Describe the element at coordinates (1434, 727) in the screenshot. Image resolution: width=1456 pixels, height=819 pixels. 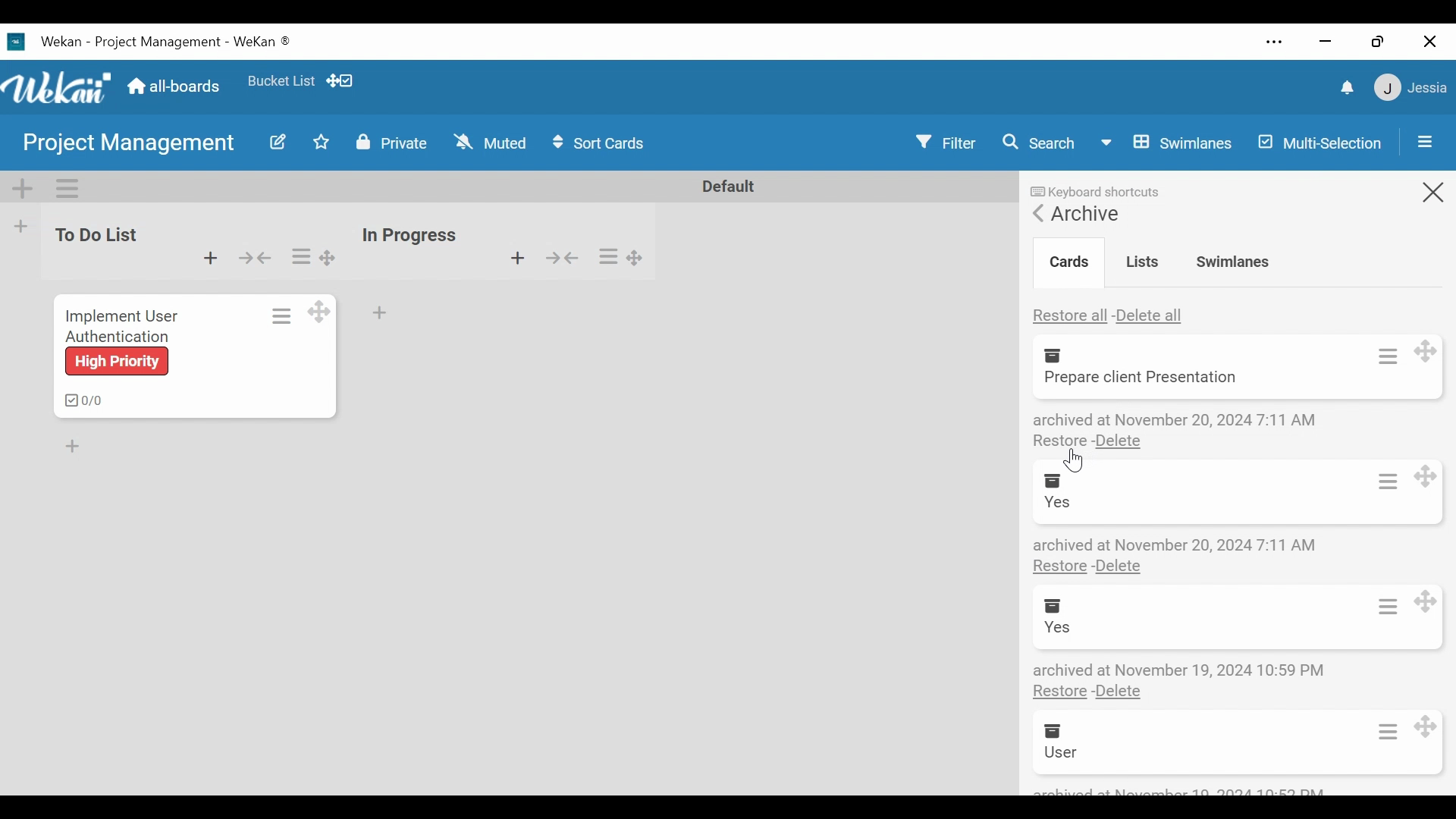
I see `Desktop drag handles` at that location.